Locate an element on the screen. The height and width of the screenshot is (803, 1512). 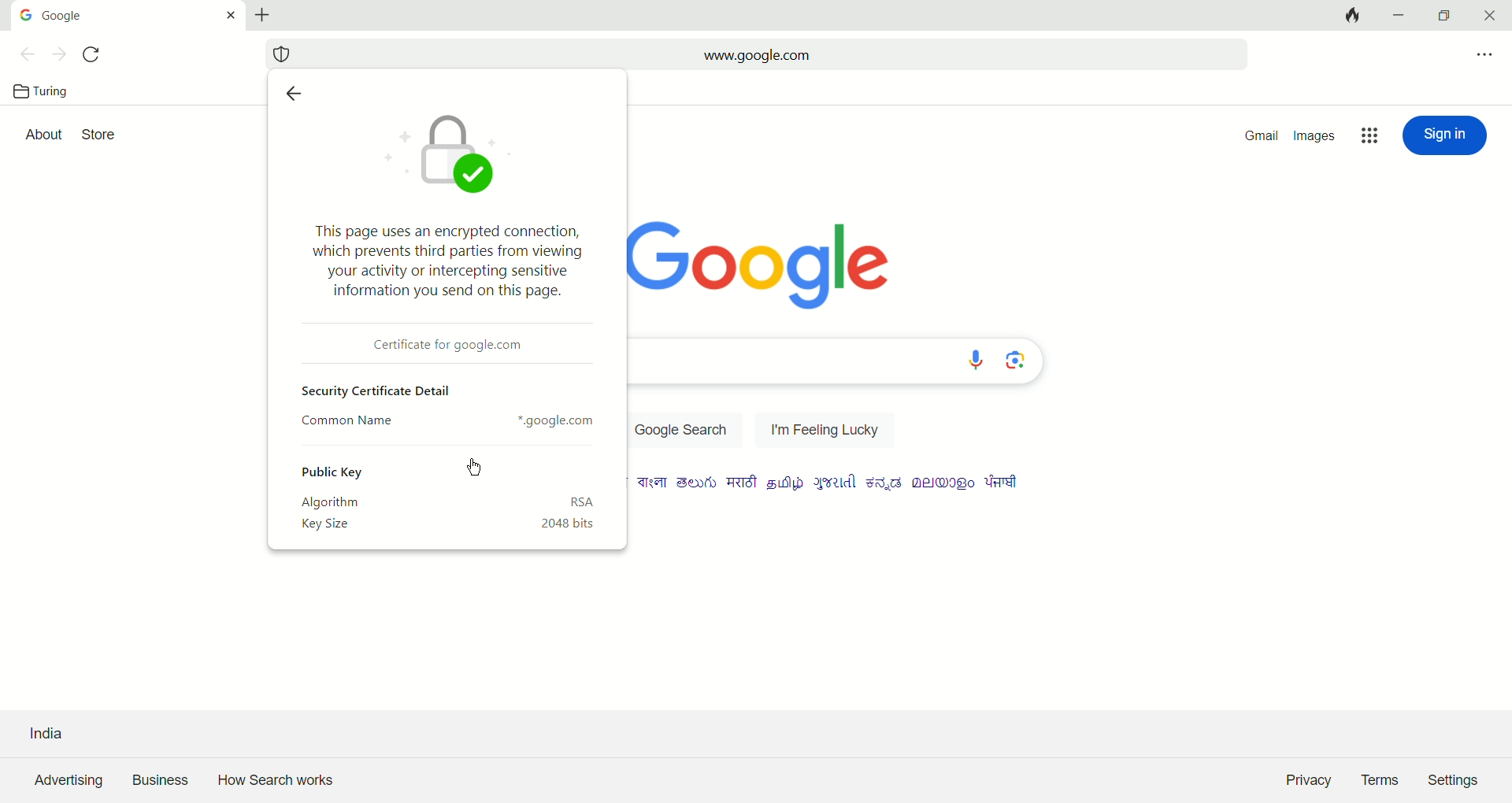
cursor is located at coordinates (473, 468).